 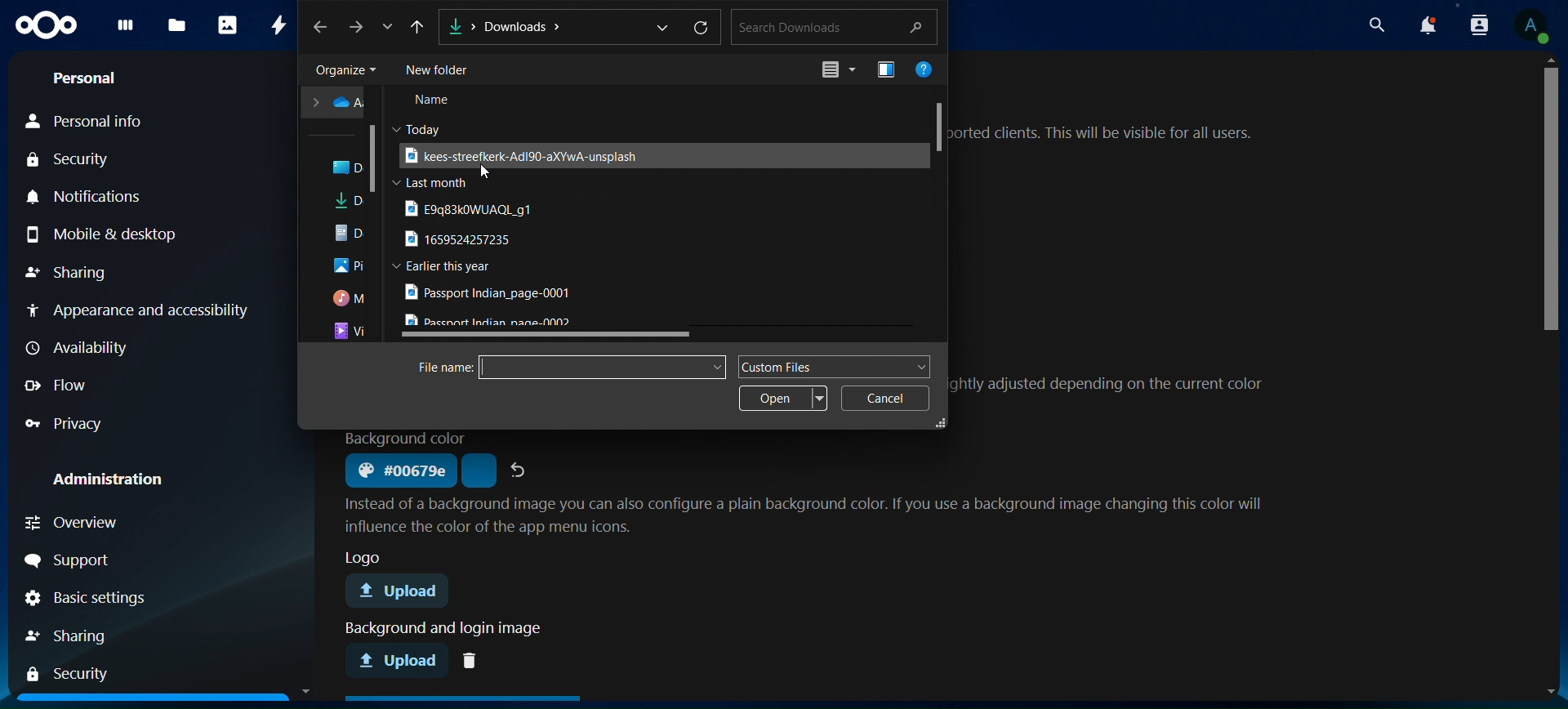 I want to click on availabliity, so click(x=125, y=350).